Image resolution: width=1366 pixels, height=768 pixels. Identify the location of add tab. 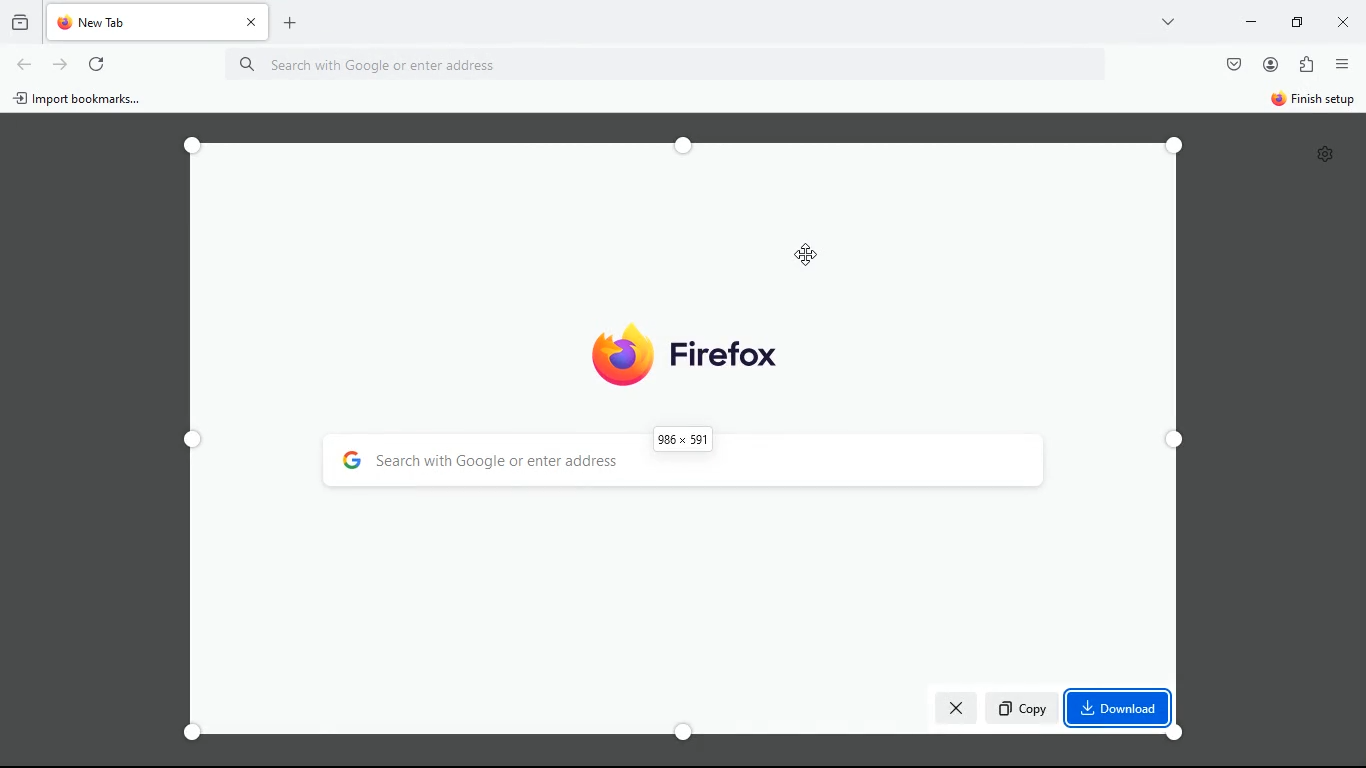
(289, 25).